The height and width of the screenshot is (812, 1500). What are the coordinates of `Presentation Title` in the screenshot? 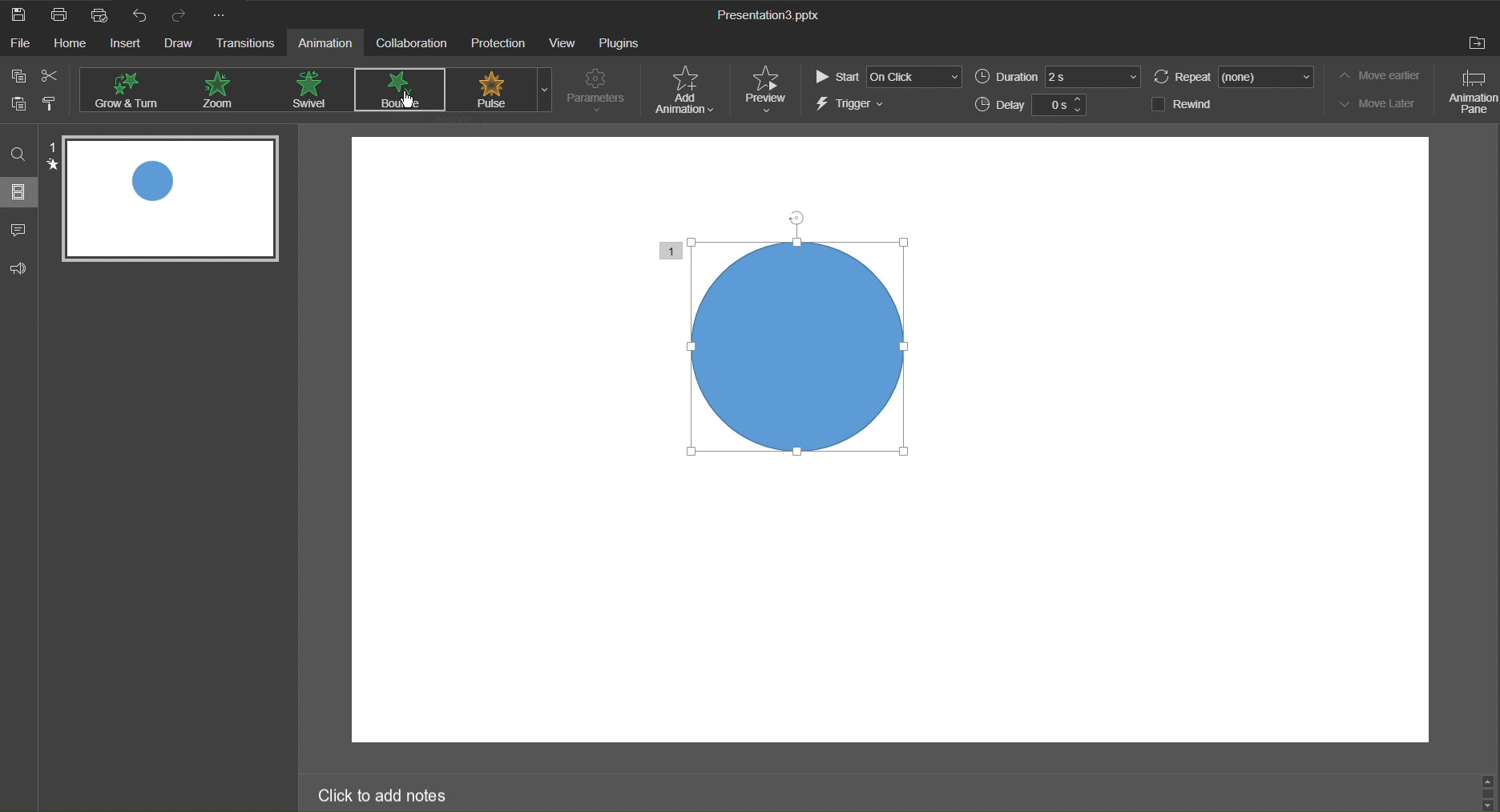 It's located at (776, 17).